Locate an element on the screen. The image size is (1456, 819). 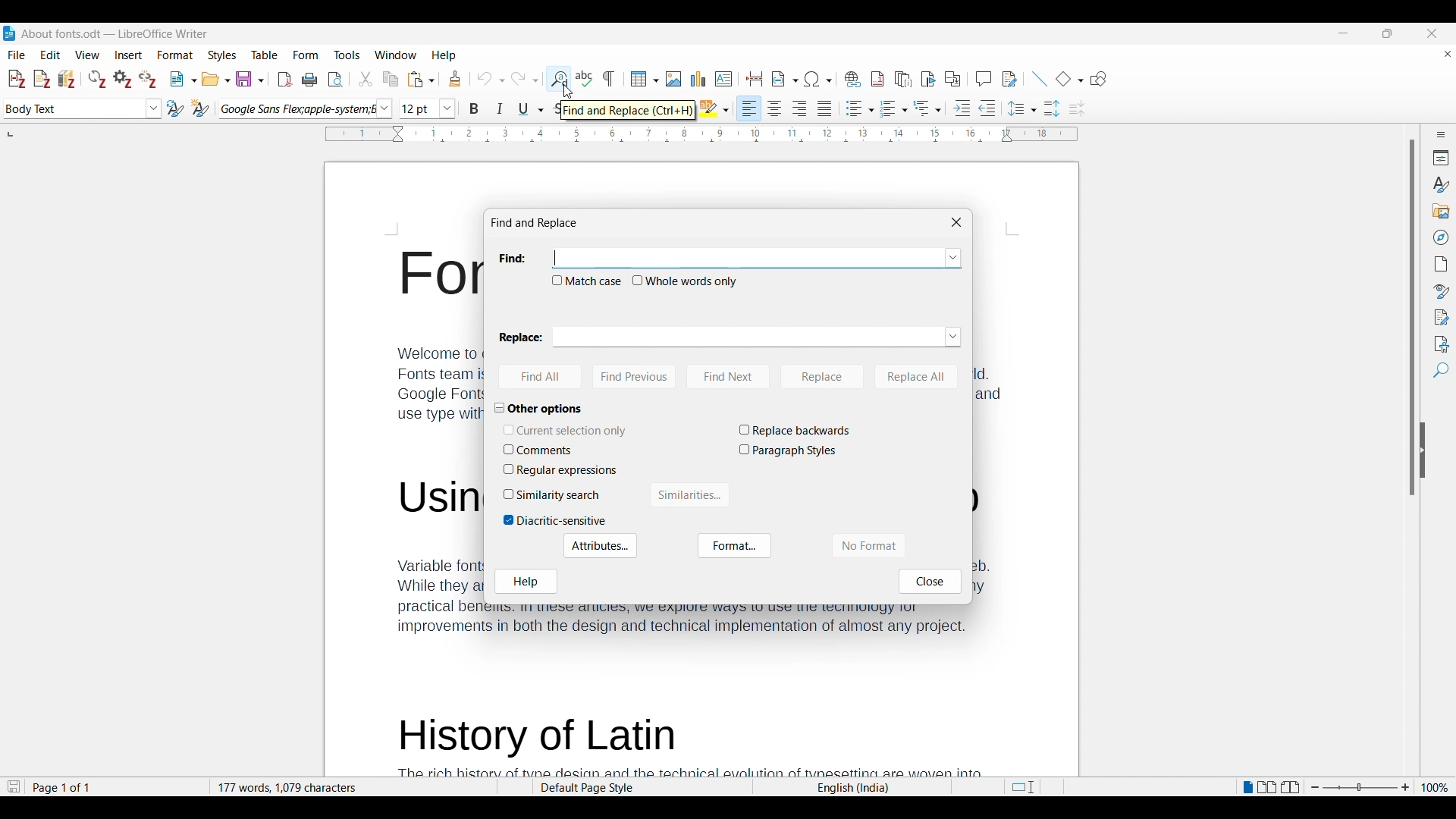
Indicates space to input Find text is located at coordinates (514, 259).